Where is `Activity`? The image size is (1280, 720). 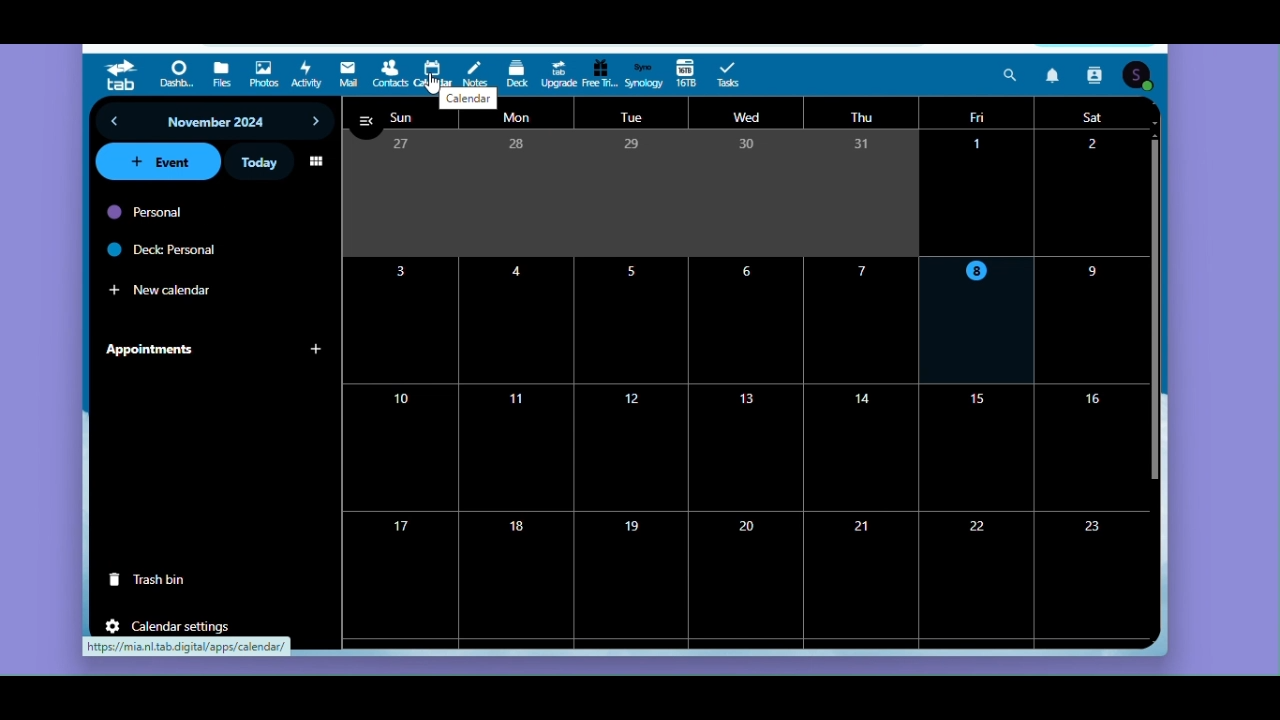 Activity is located at coordinates (307, 74).